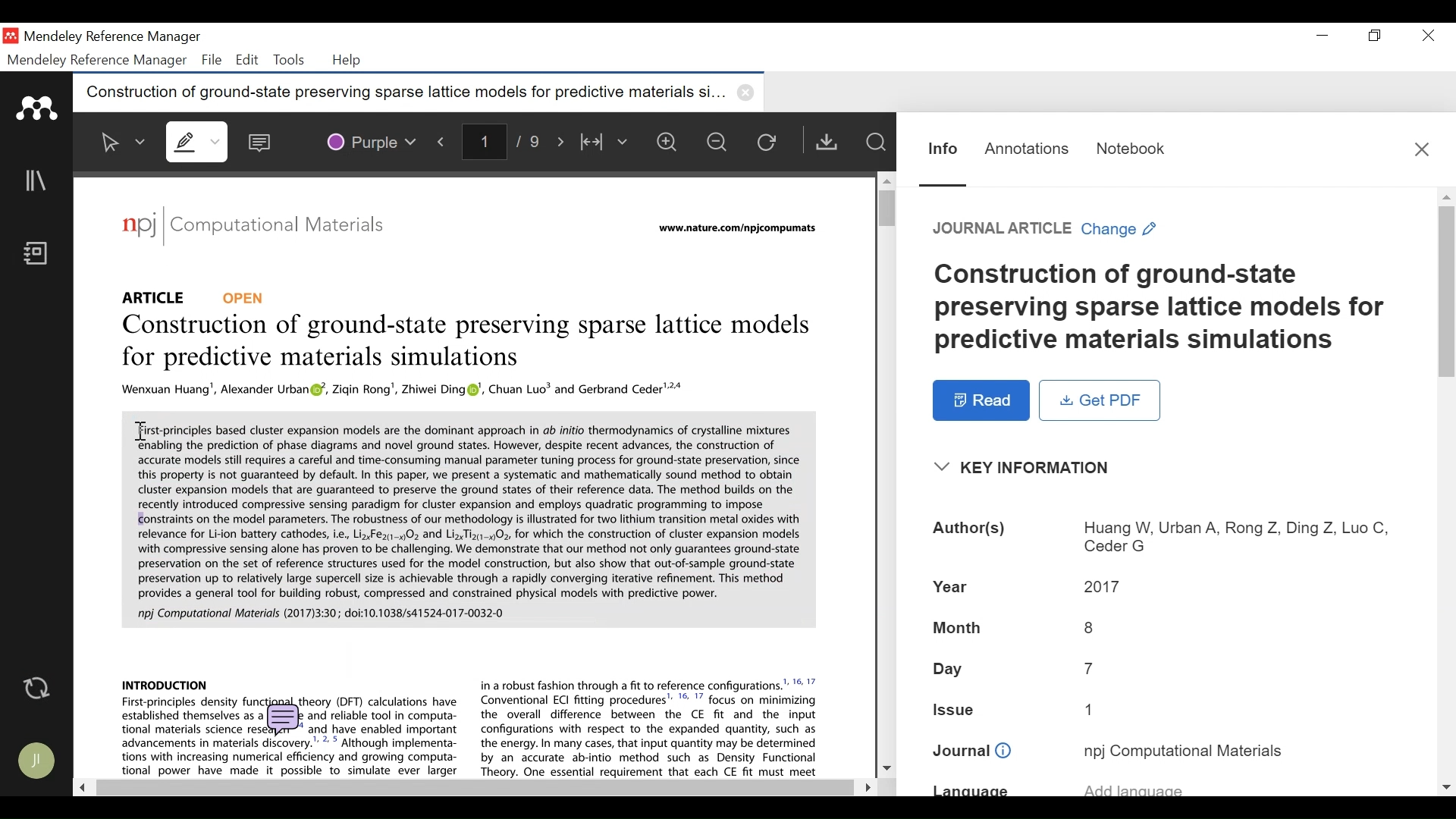  I want to click on Get PDF, so click(1100, 400).